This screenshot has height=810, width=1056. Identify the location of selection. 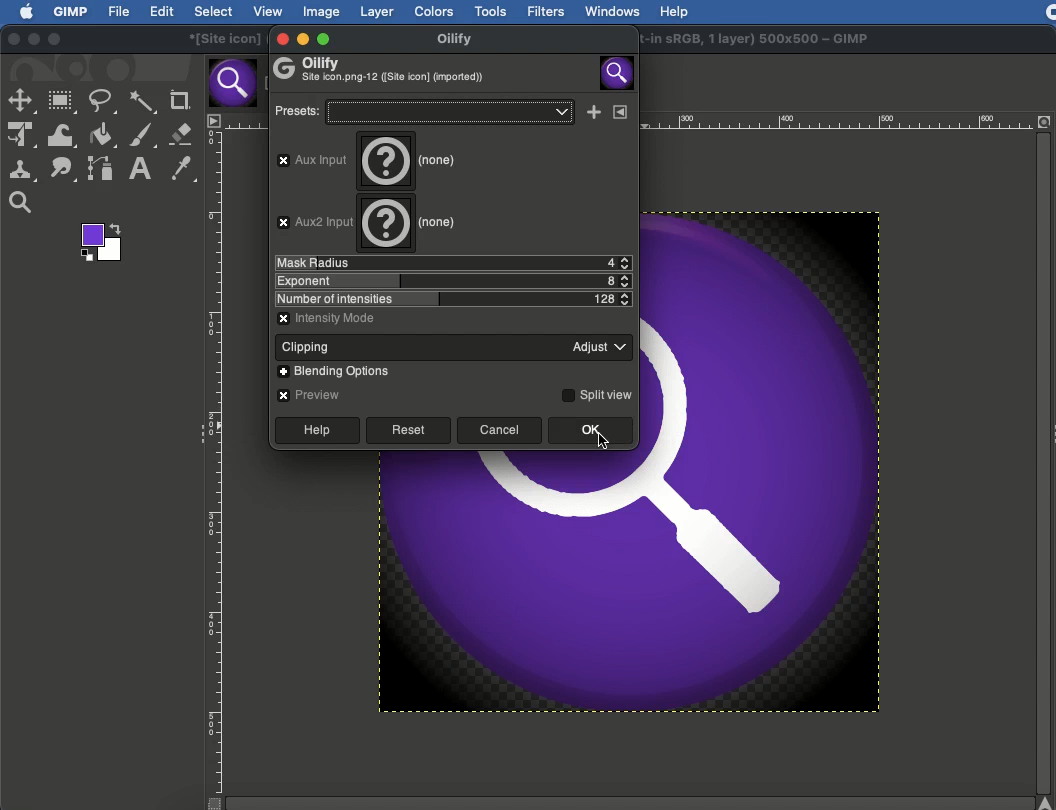
(23, 103).